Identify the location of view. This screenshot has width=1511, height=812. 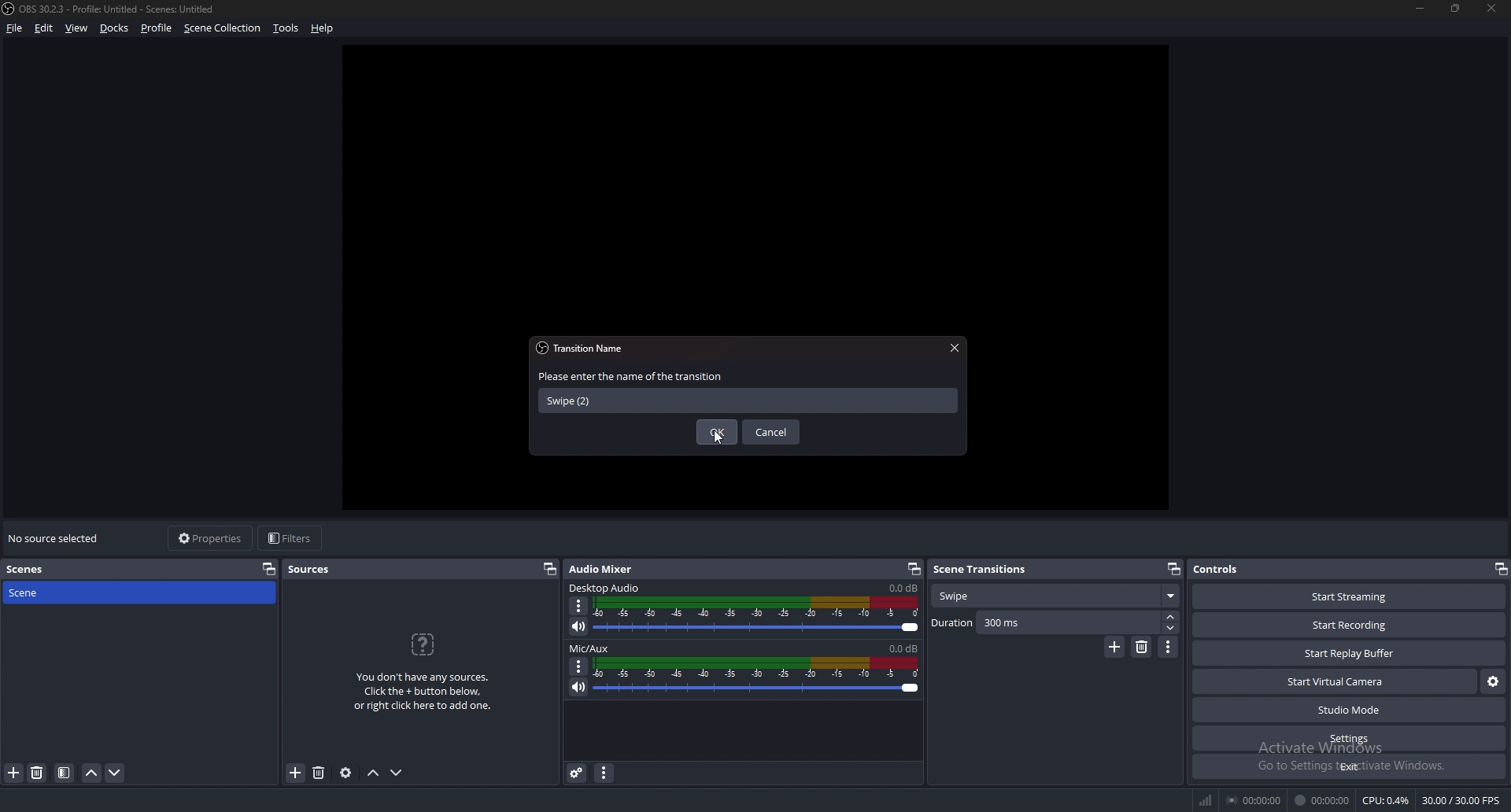
(77, 28).